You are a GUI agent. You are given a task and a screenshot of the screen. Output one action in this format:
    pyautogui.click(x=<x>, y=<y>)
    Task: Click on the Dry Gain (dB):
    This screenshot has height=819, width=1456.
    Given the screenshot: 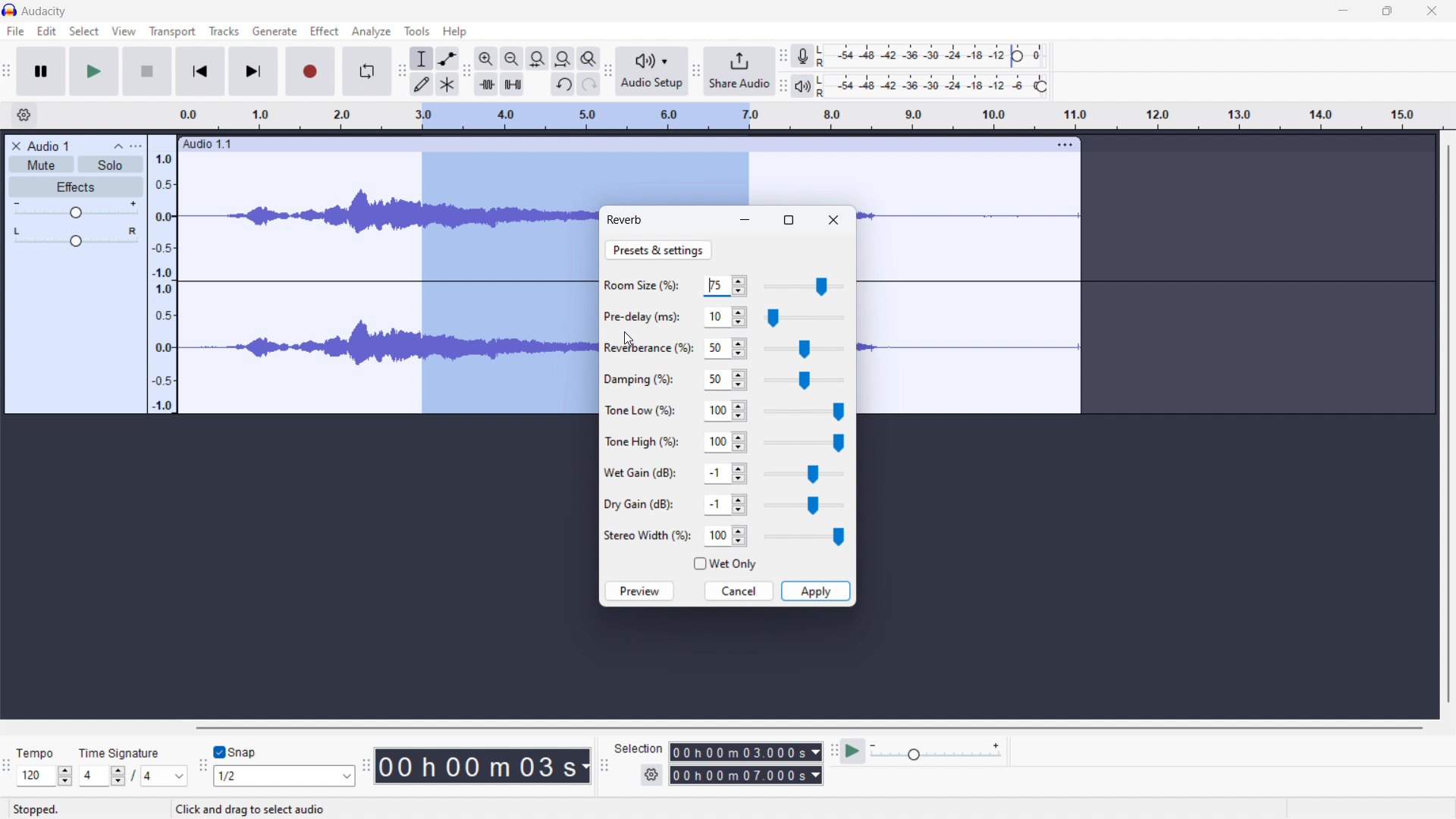 What is the action you would take?
    pyautogui.click(x=640, y=506)
    